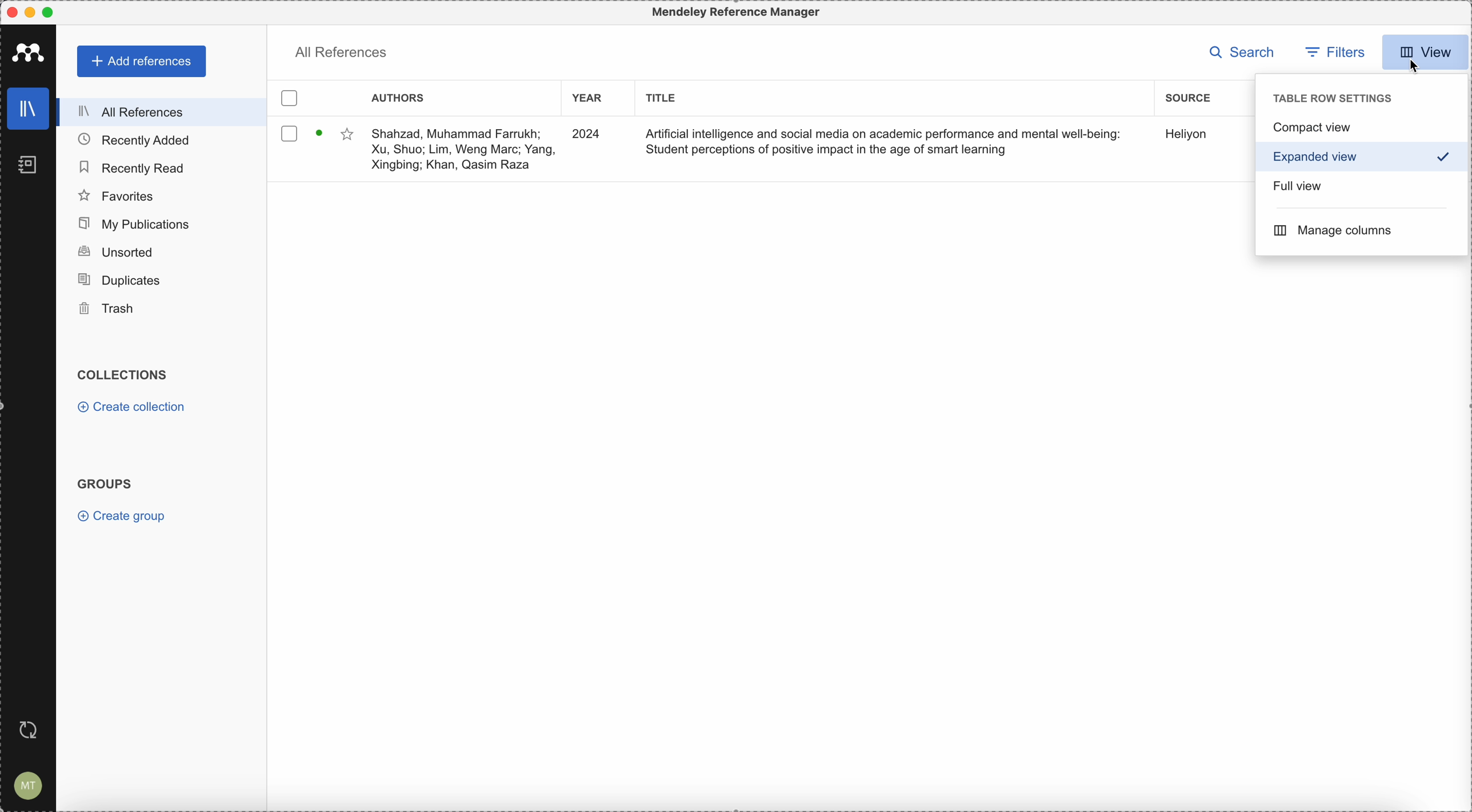 Image resolution: width=1472 pixels, height=812 pixels. I want to click on title, so click(663, 99).